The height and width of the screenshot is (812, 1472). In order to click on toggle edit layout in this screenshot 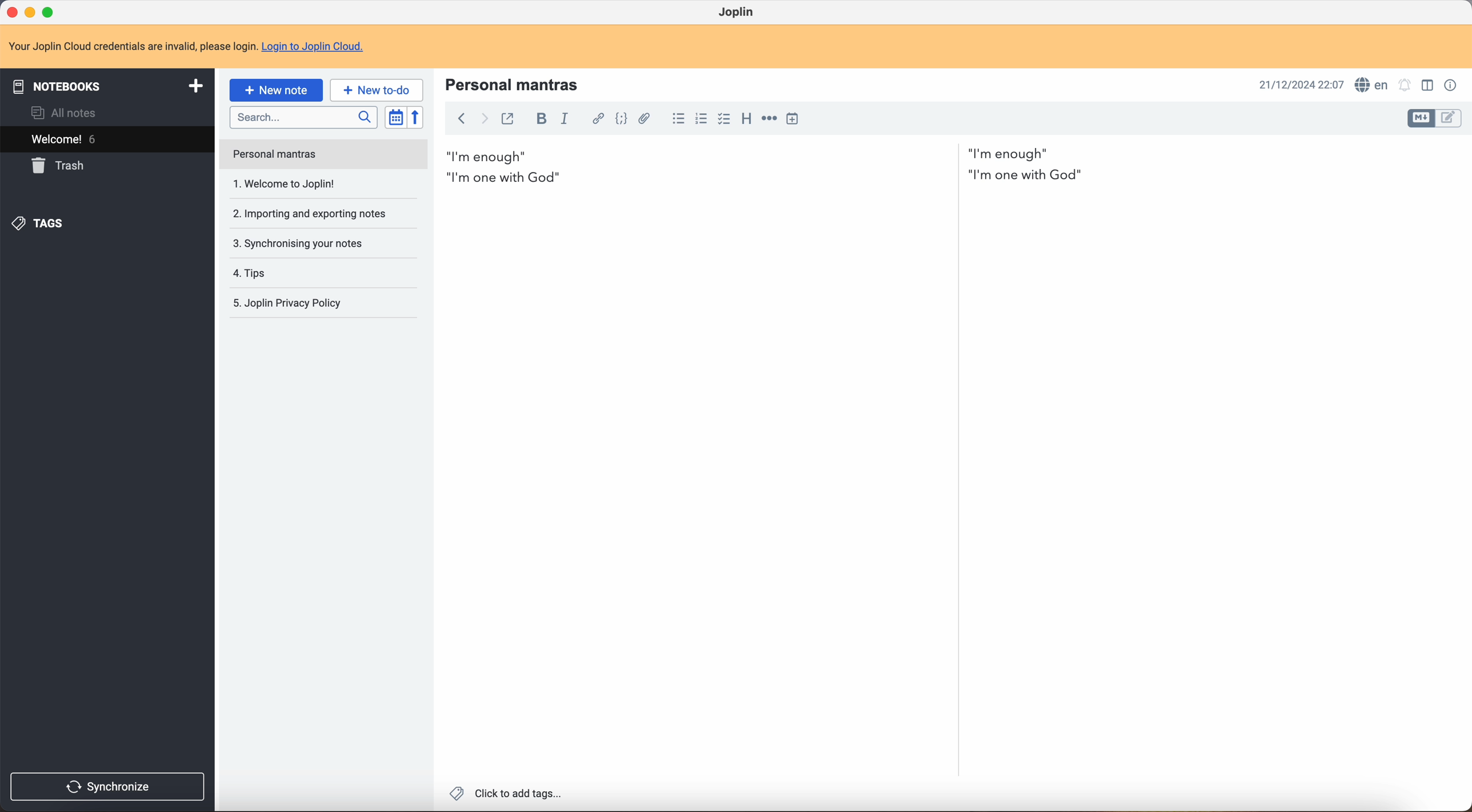, I will do `click(1449, 119)`.